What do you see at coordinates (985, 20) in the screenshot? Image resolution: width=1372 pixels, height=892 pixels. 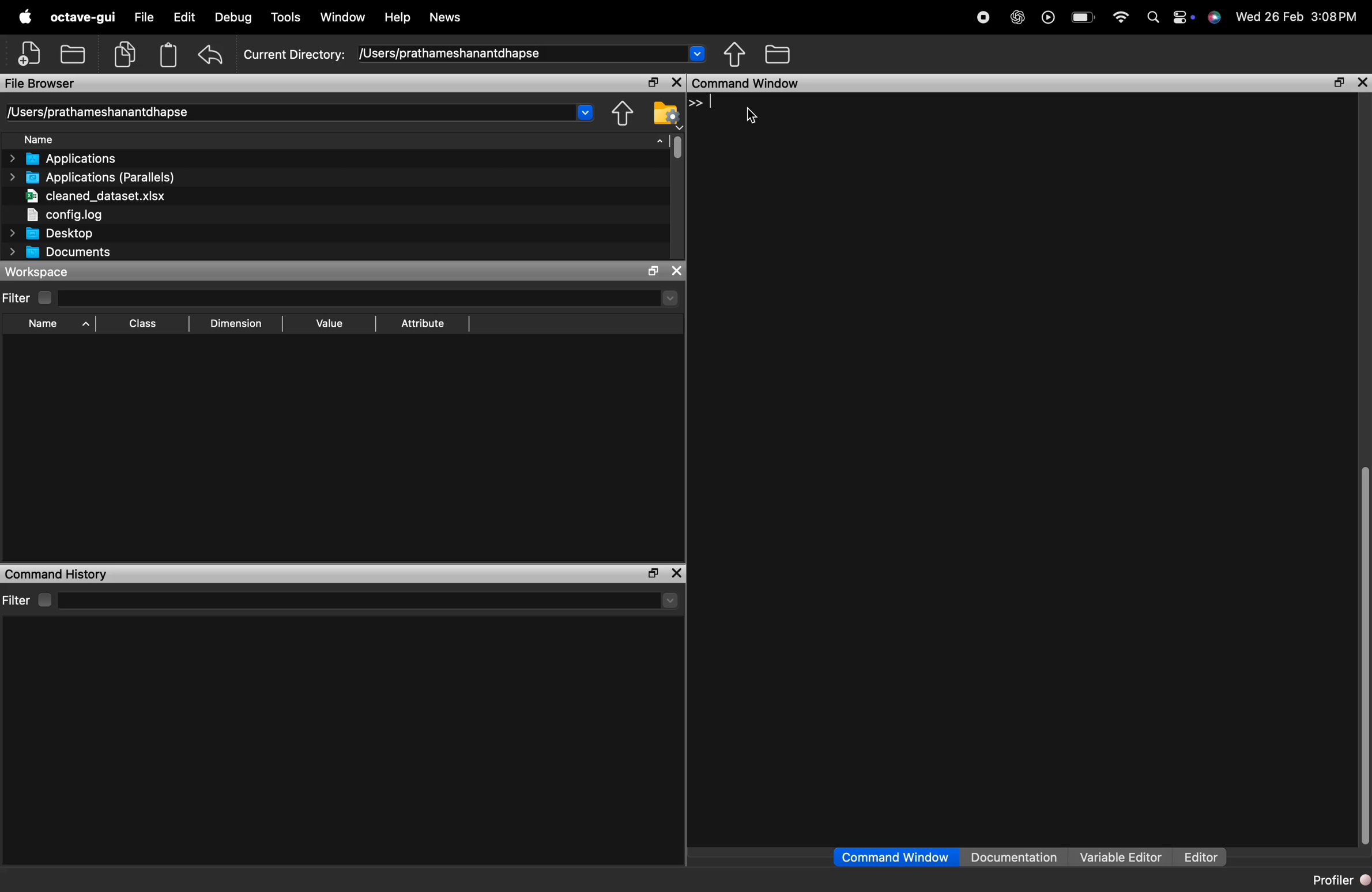 I see `recording` at bounding box center [985, 20].